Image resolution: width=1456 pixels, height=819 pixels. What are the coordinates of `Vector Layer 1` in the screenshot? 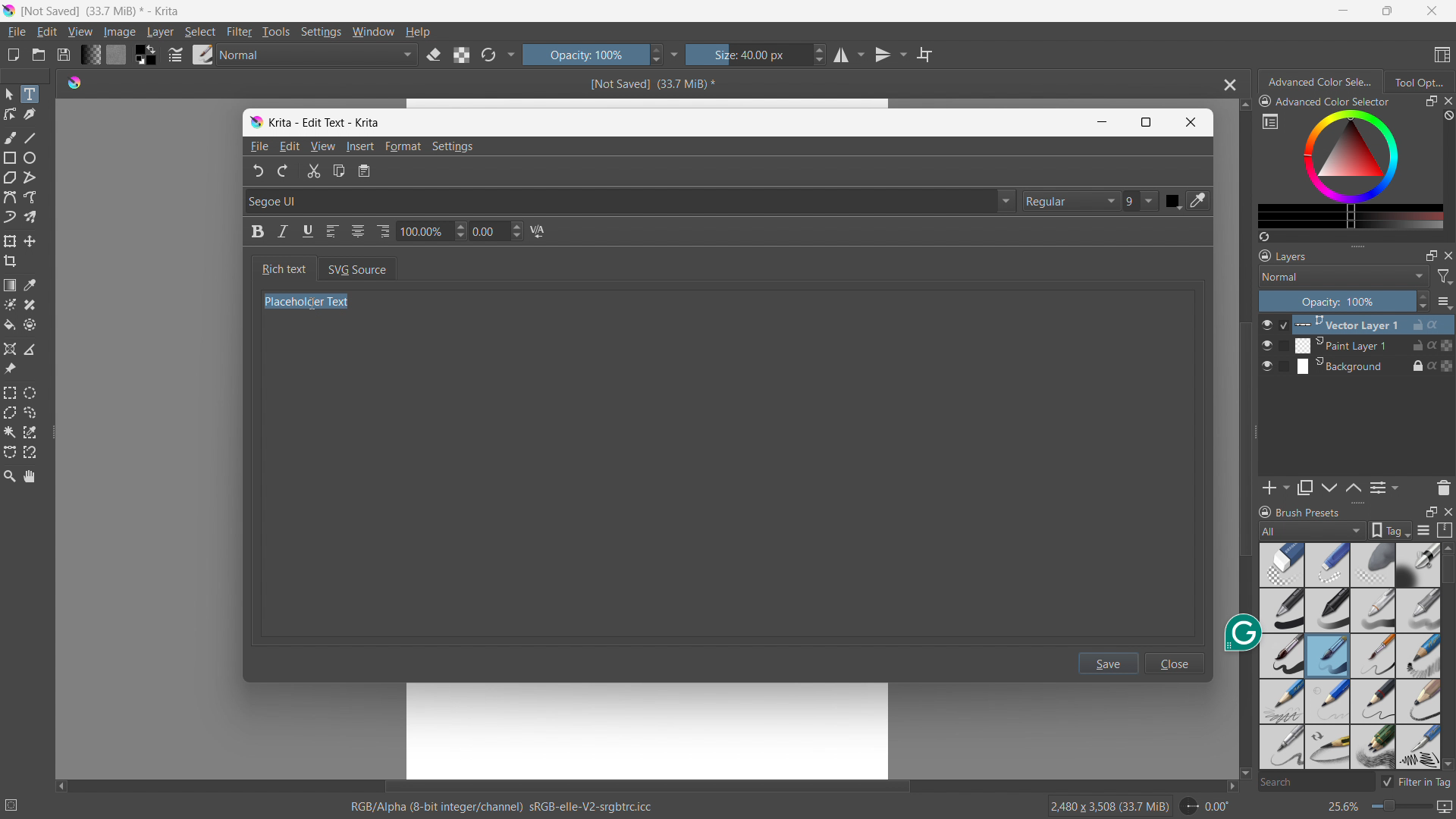 It's located at (1366, 324).